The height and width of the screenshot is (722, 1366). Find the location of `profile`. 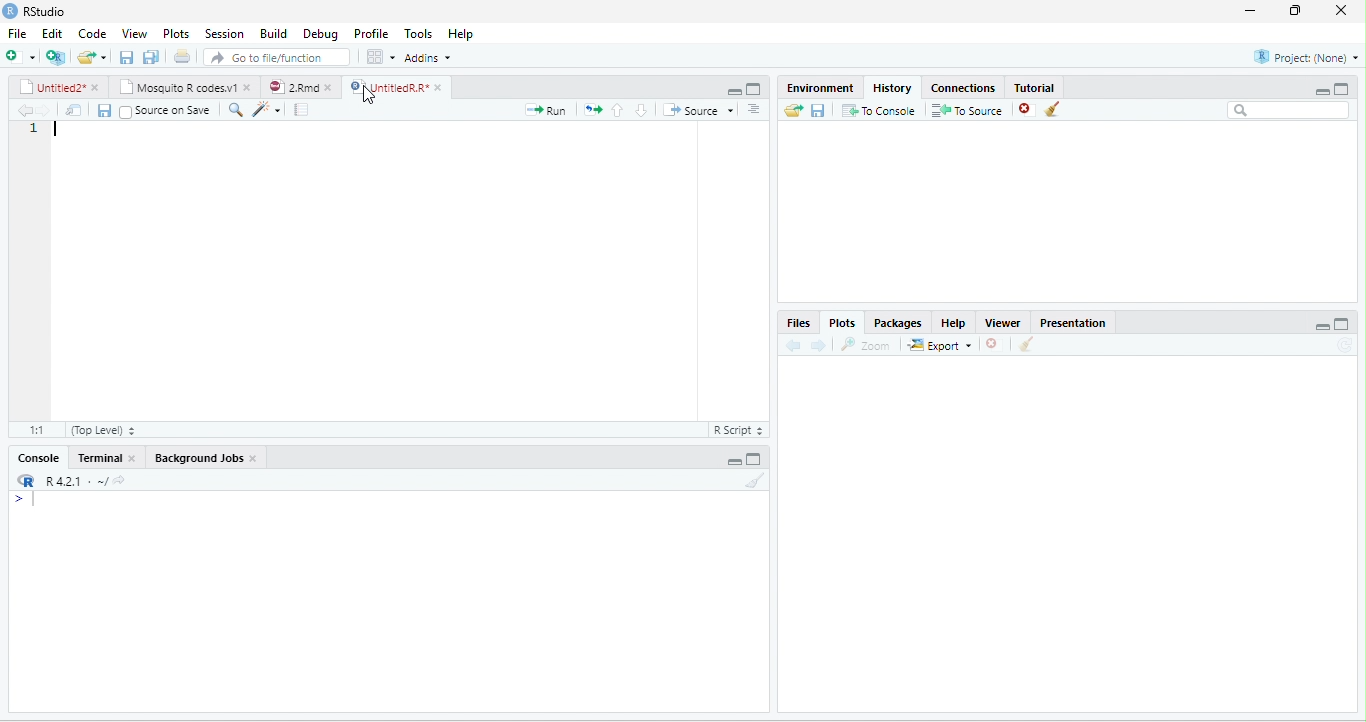

profile is located at coordinates (370, 33).